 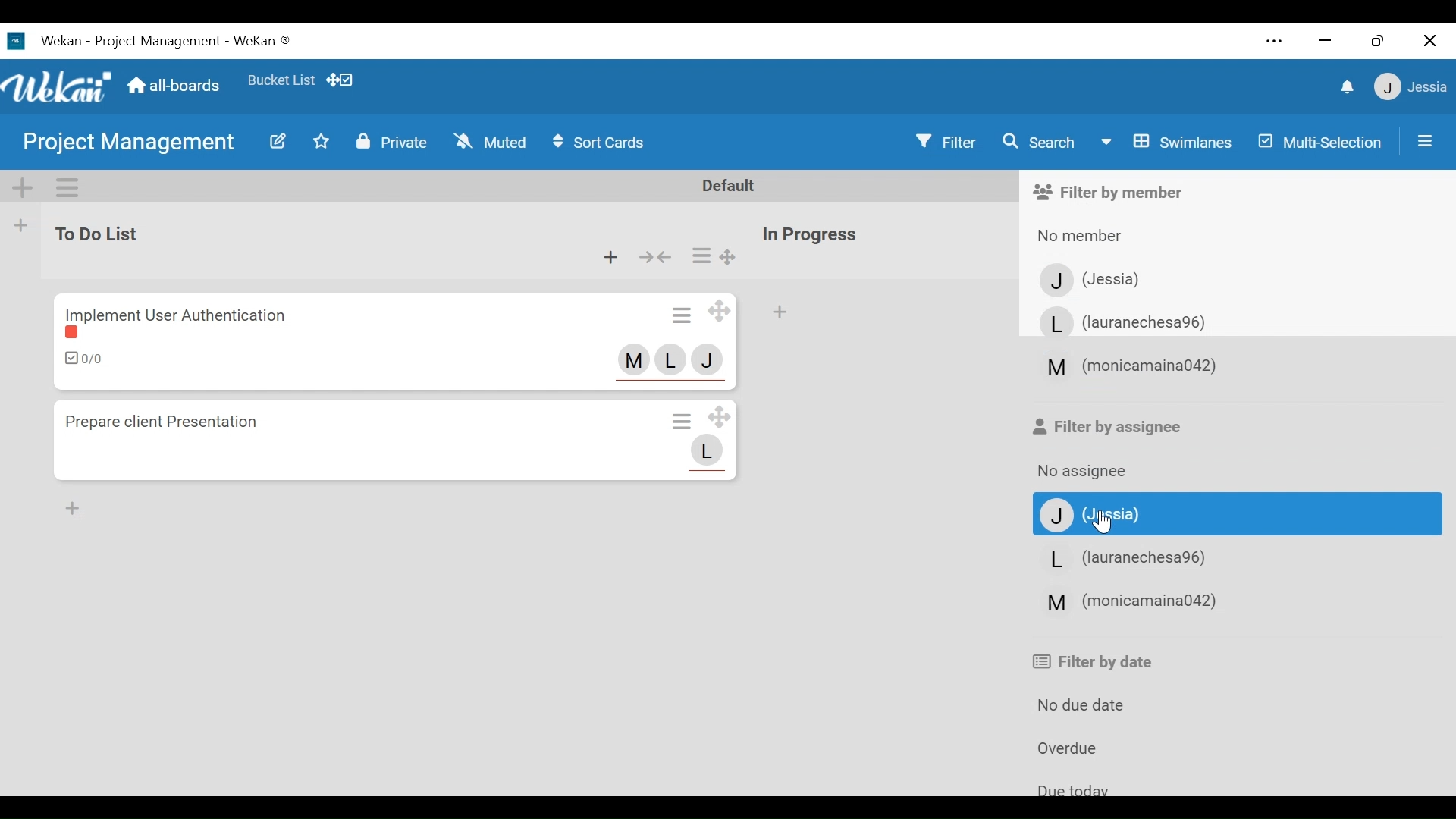 What do you see at coordinates (176, 86) in the screenshot?
I see `Home (all-boards)` at bounding box center [176, 86].